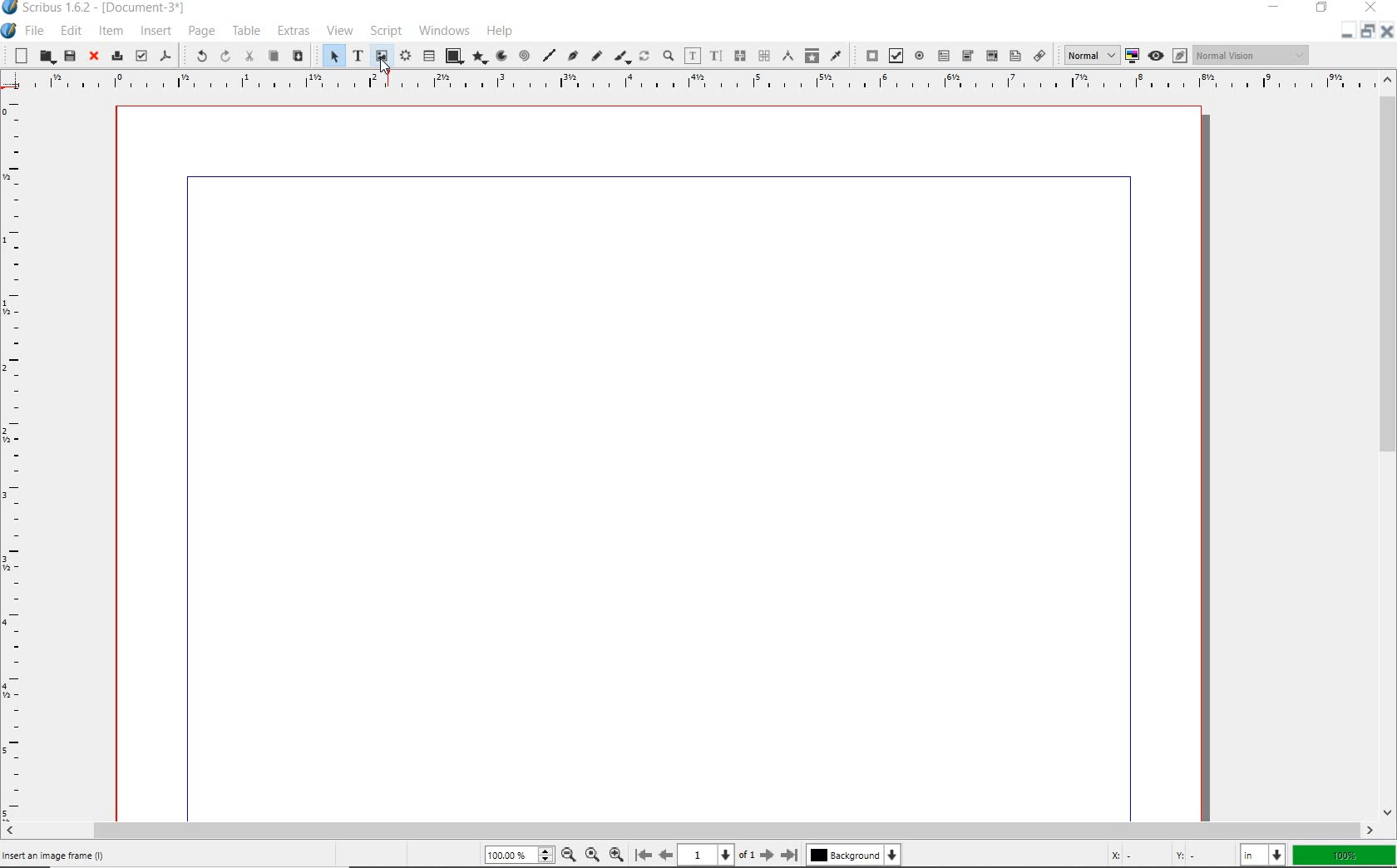  Describe the element at coordinates (37, 32) in the screenshot. I see `FILE` at that location.